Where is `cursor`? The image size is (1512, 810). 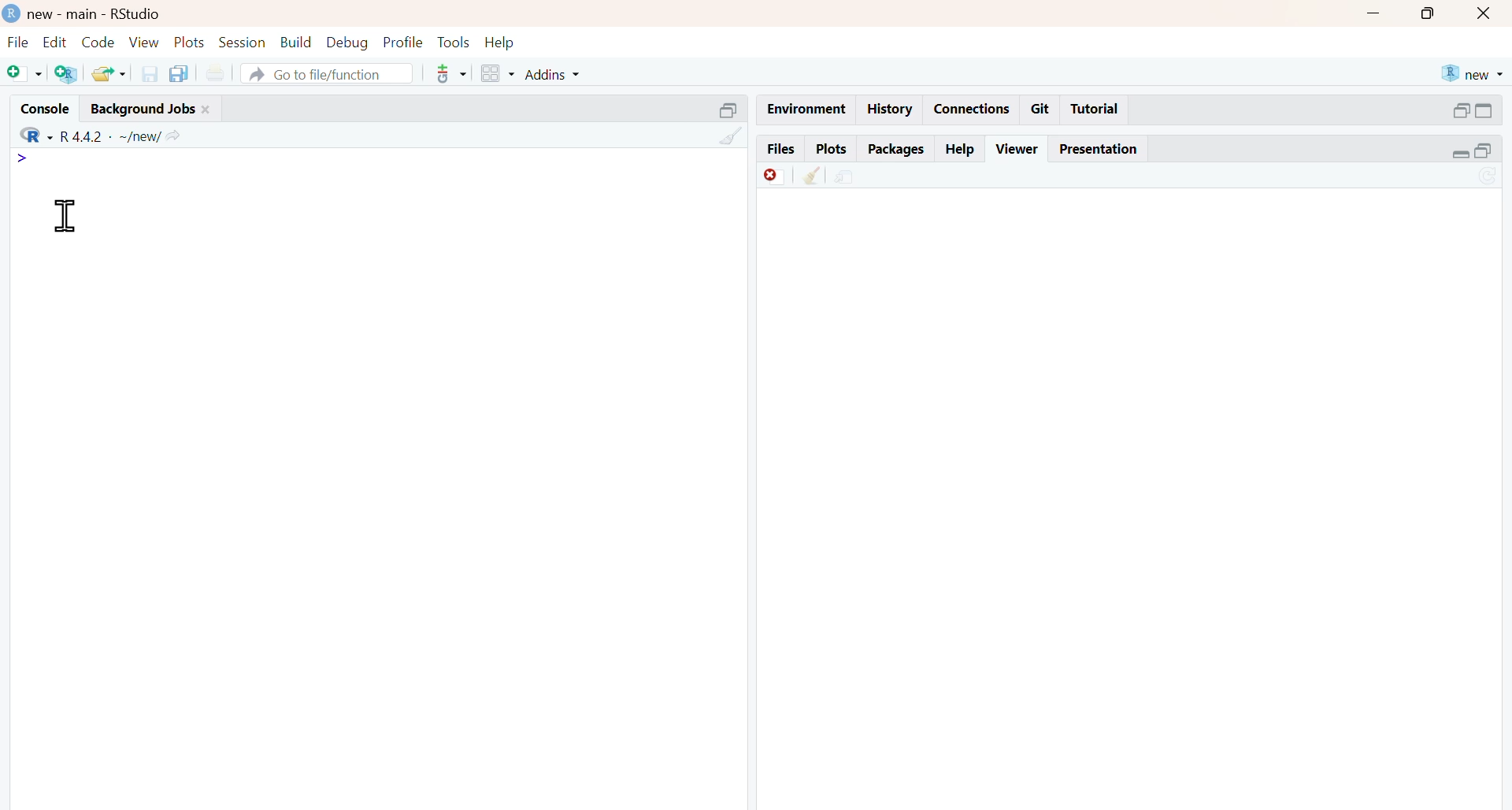
cursor is located at coordinates (69, 216).